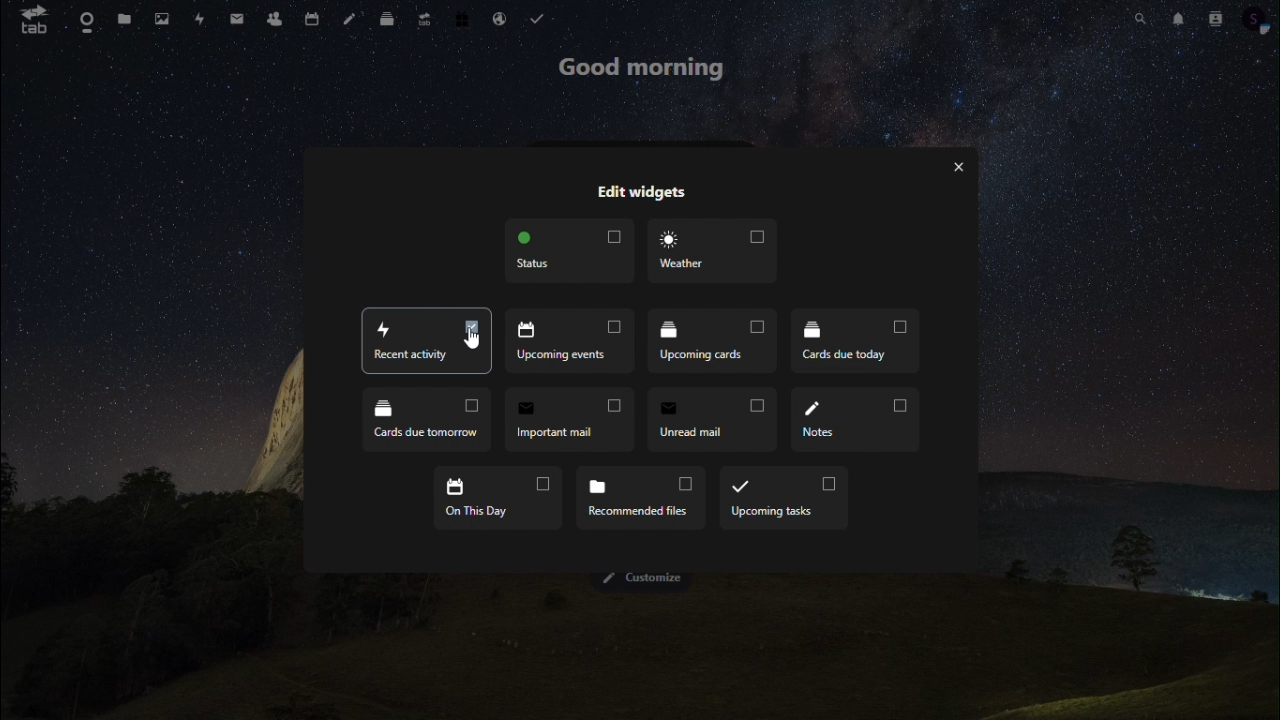 This screenshot has width=1280, height=720. I want to click on cards due tomarrow, so click(427, 421).